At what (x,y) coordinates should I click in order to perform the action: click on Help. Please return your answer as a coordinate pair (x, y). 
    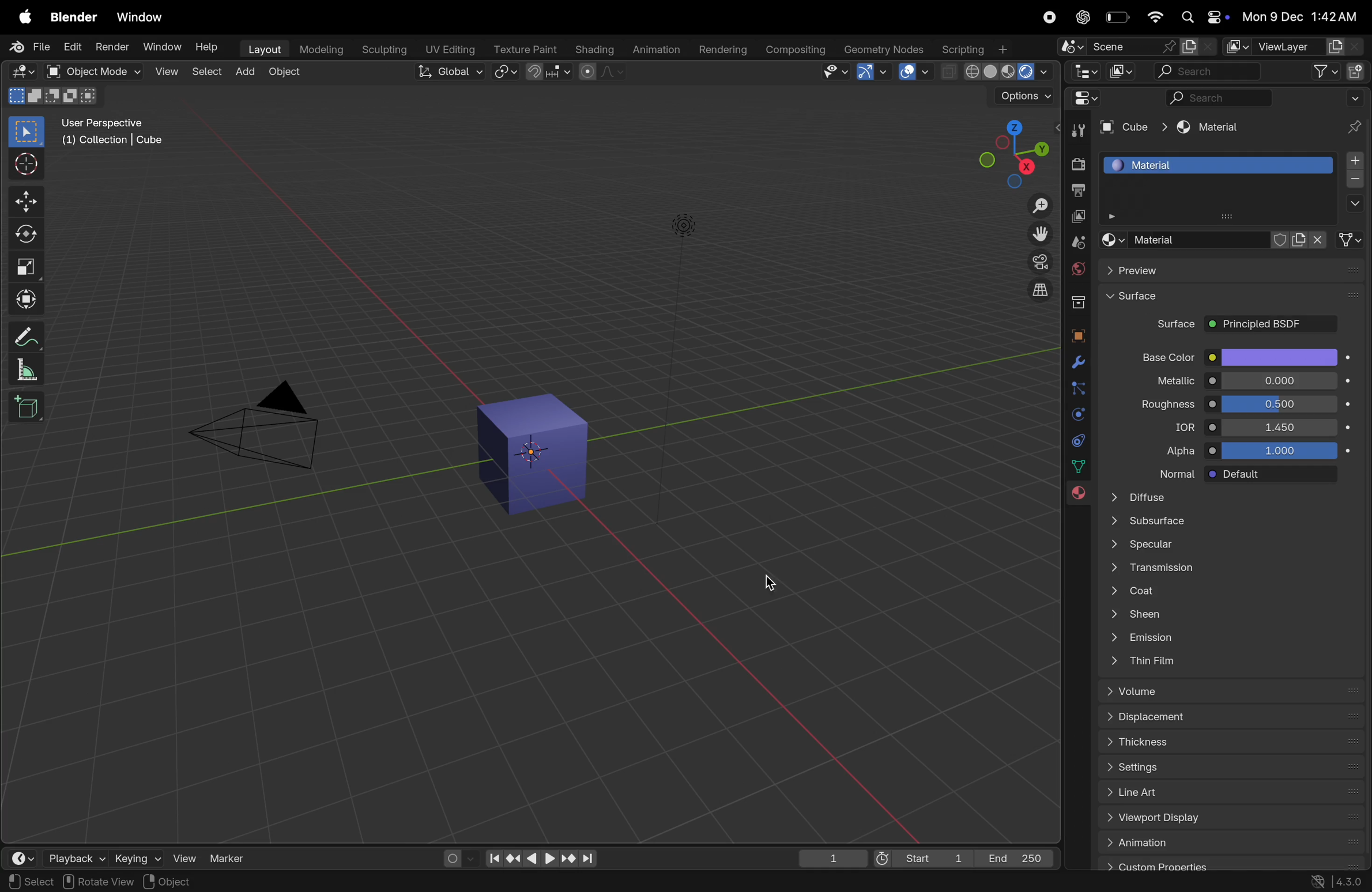
    Looking at the image, I should click on (208, 46).